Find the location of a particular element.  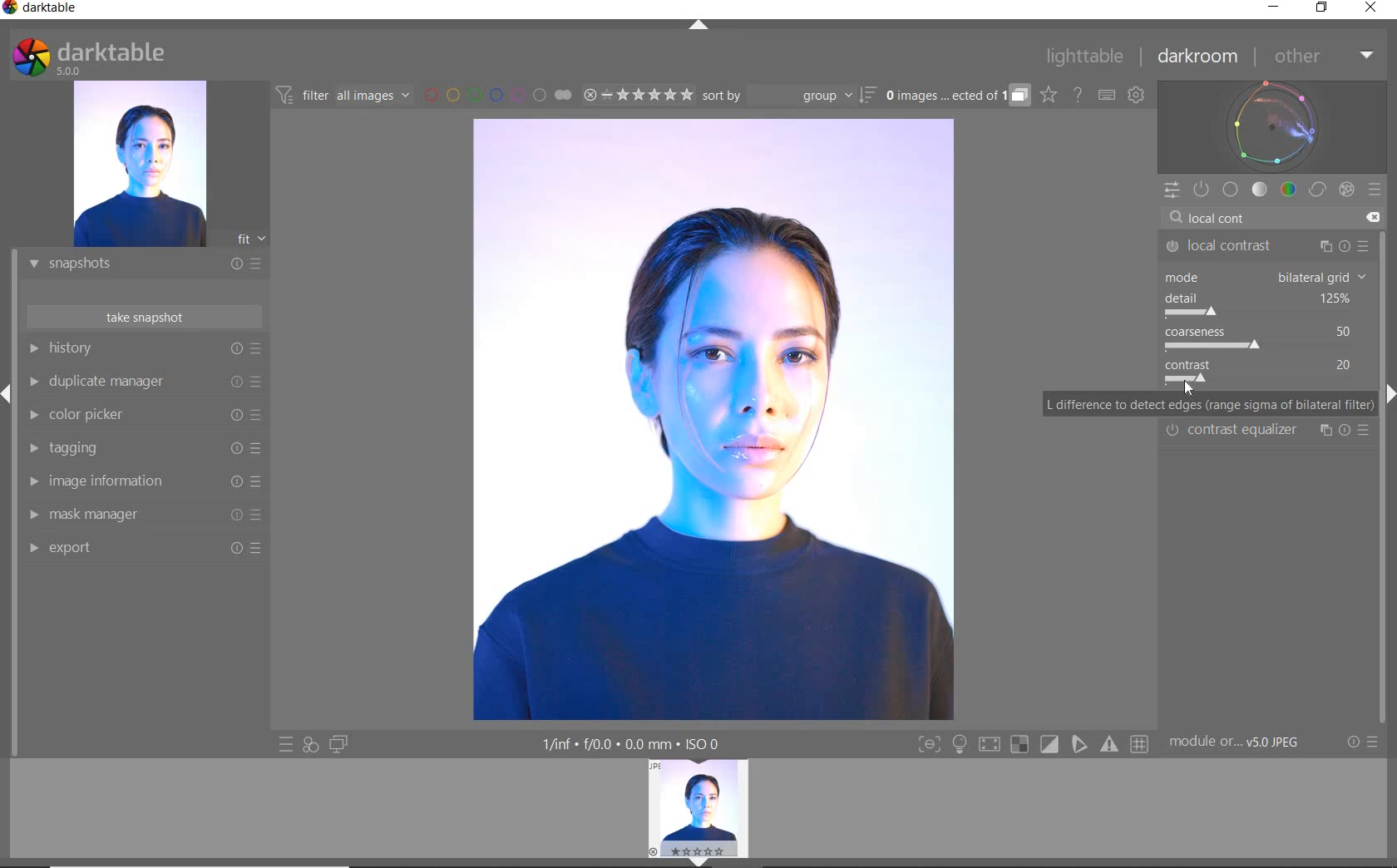

SNAPSHOTS is located at coordinates (138, 265).